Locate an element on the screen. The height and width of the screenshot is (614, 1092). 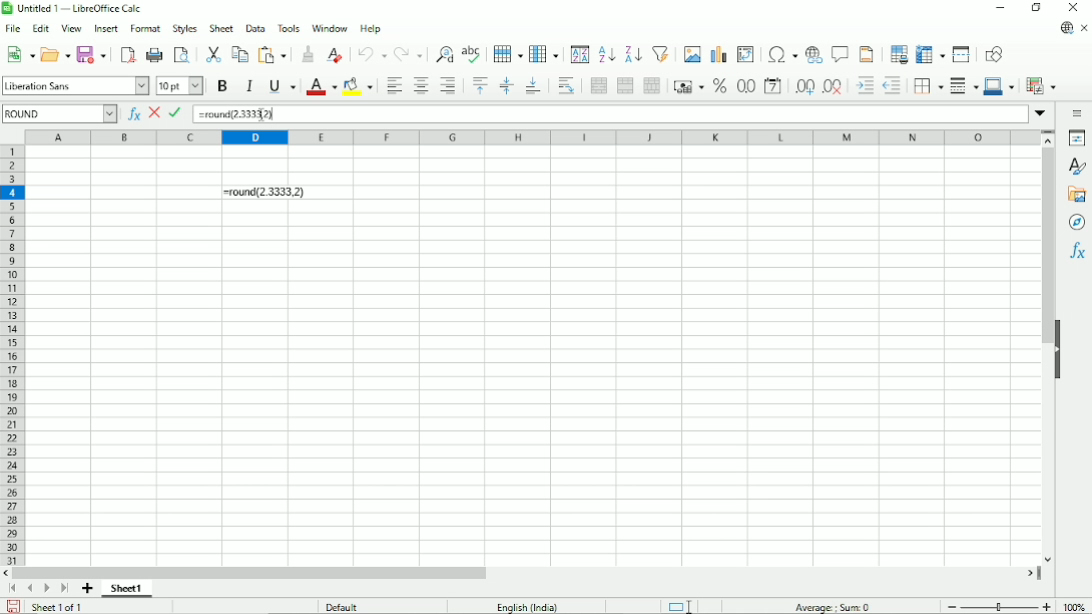
Sort ascending is located at coordinates (608, 54).